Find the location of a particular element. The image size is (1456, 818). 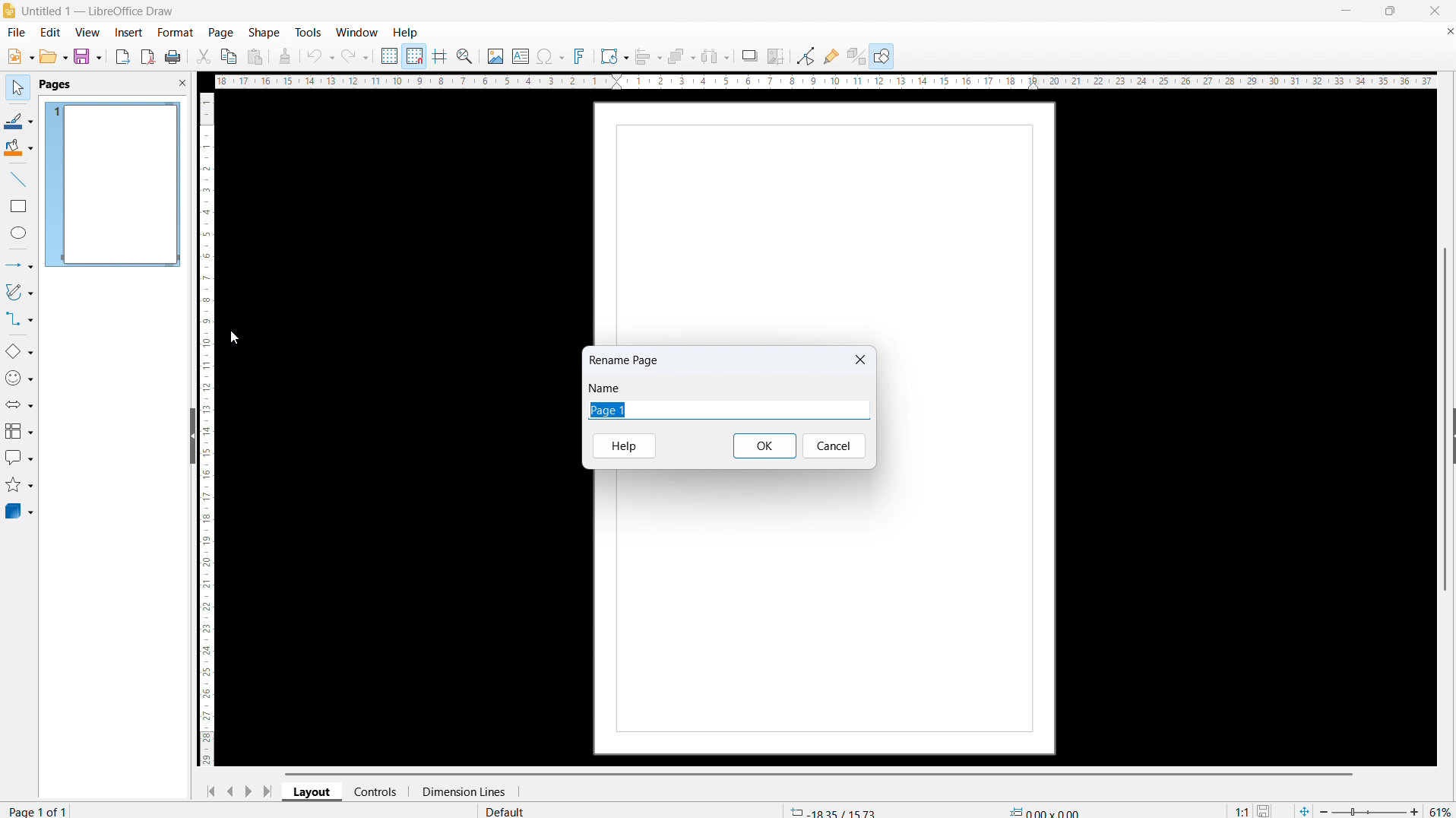

document title is located at coordinates (100, 12).